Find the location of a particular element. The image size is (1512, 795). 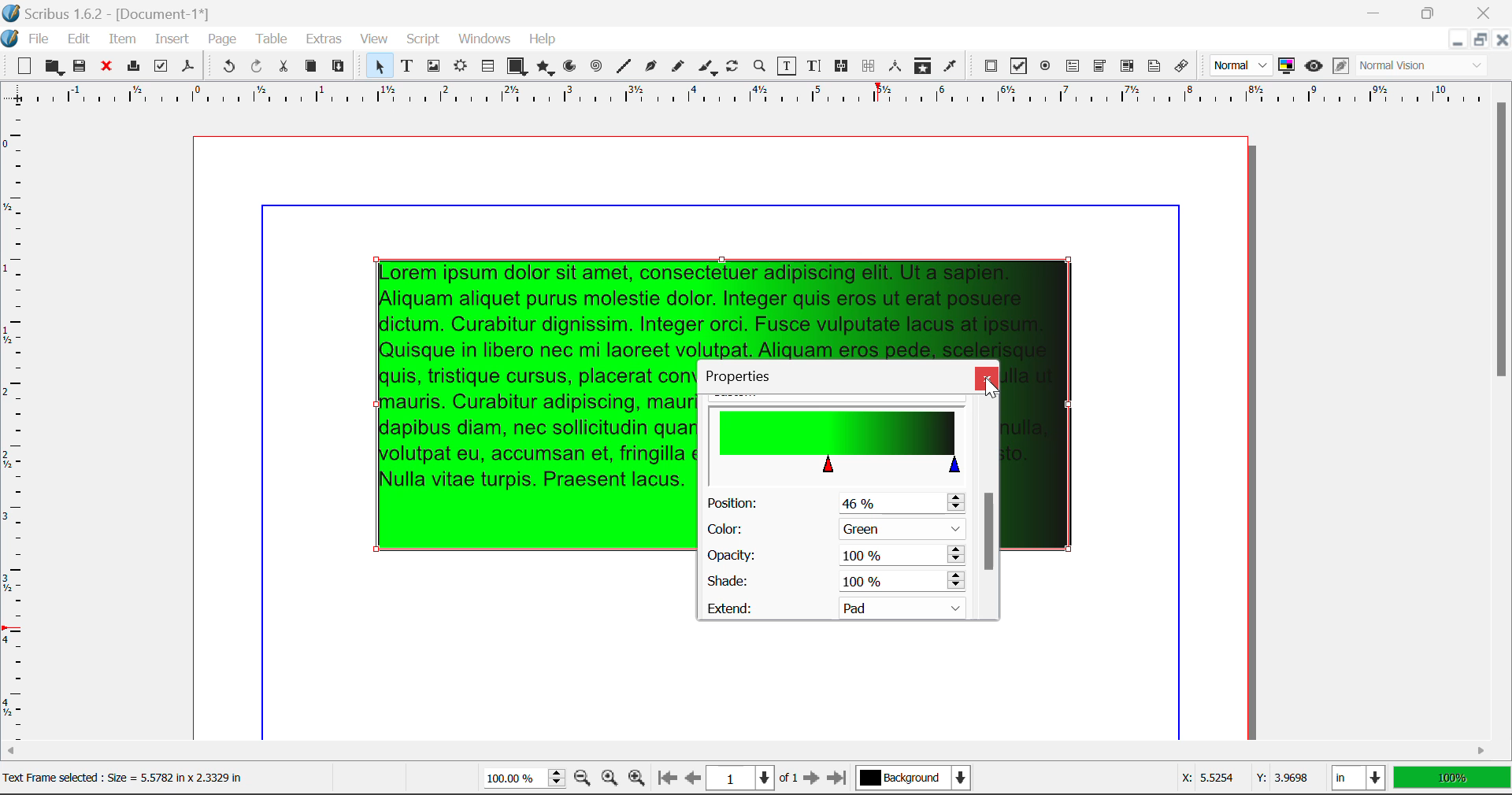

Scroll Bar is located at coordinates (747, 753).